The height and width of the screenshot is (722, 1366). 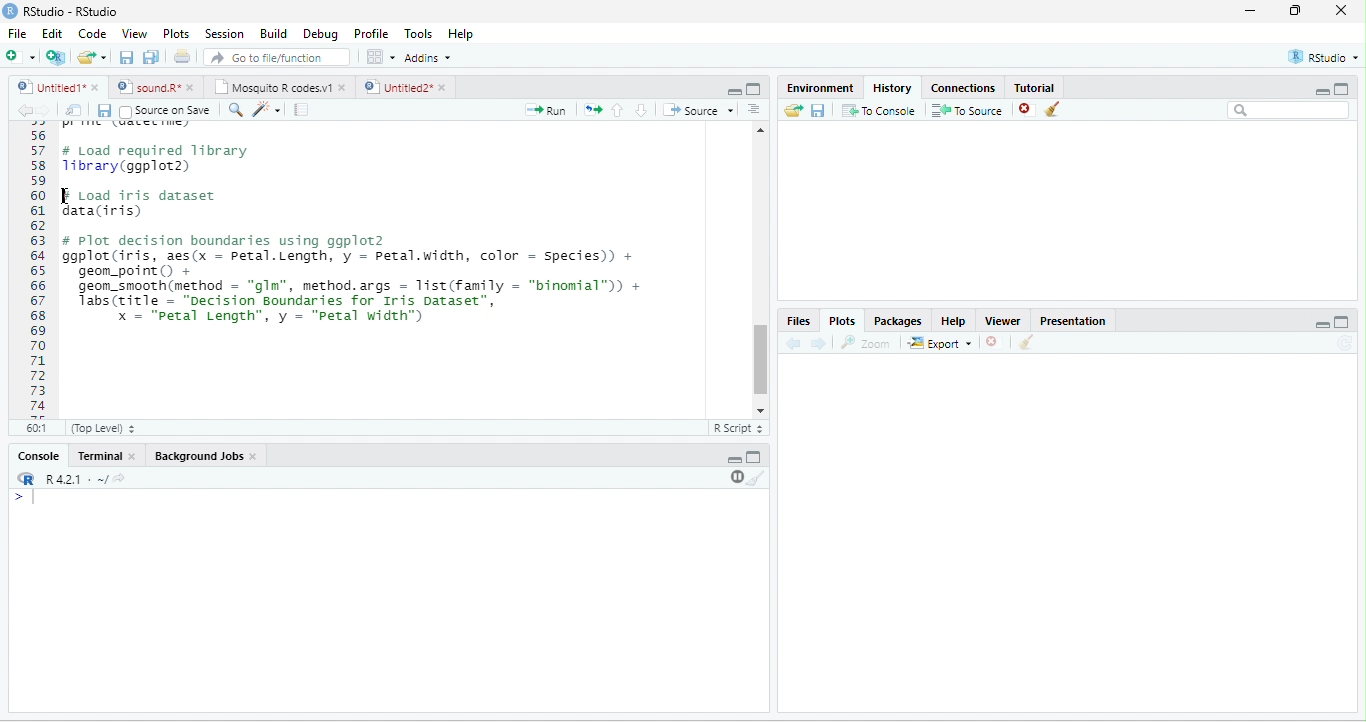 What do you see at coordinates (17, 33) in the screenshot?
I see `File` at bounding box center [17, 33].